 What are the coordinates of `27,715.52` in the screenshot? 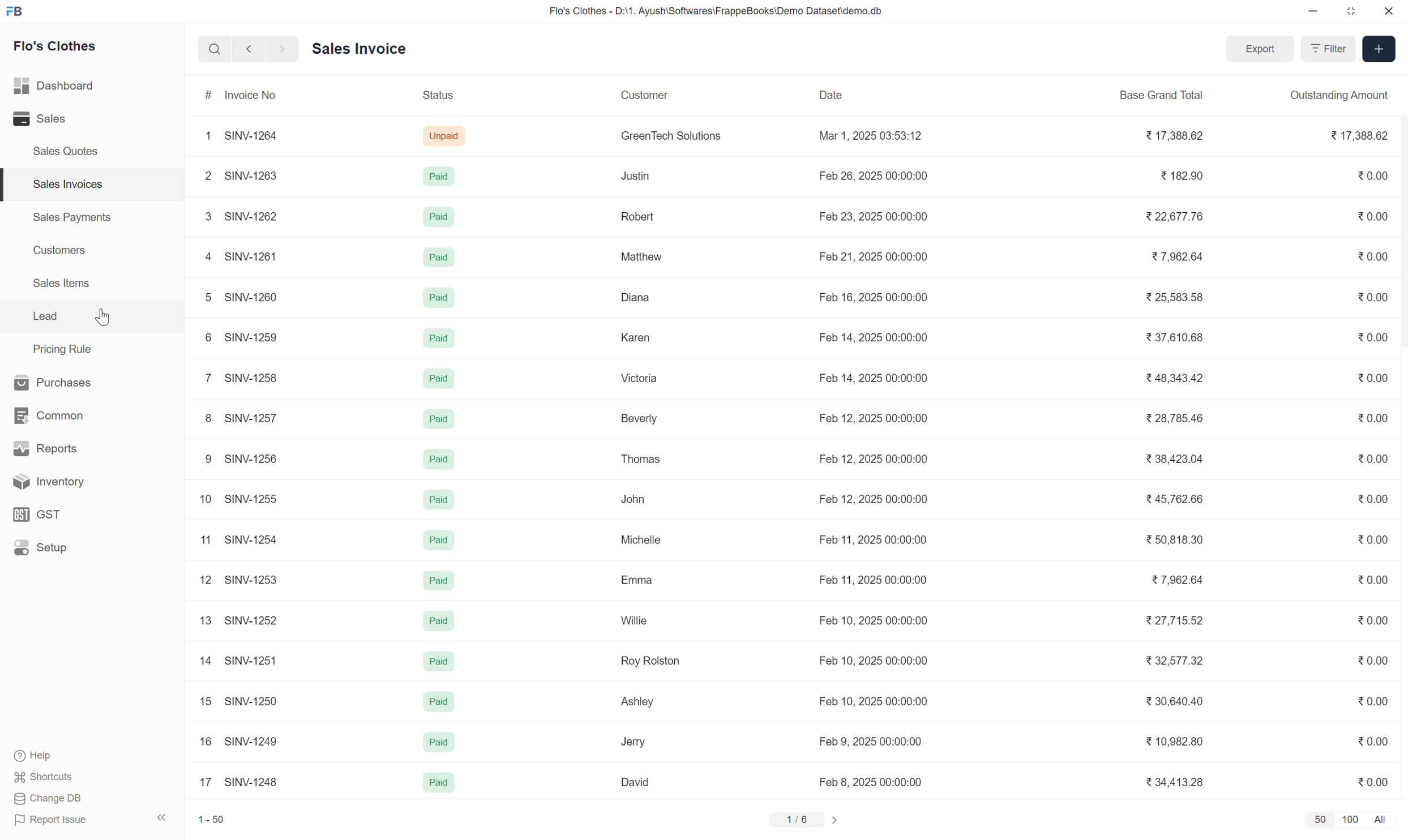 It's located at (1172, 621).